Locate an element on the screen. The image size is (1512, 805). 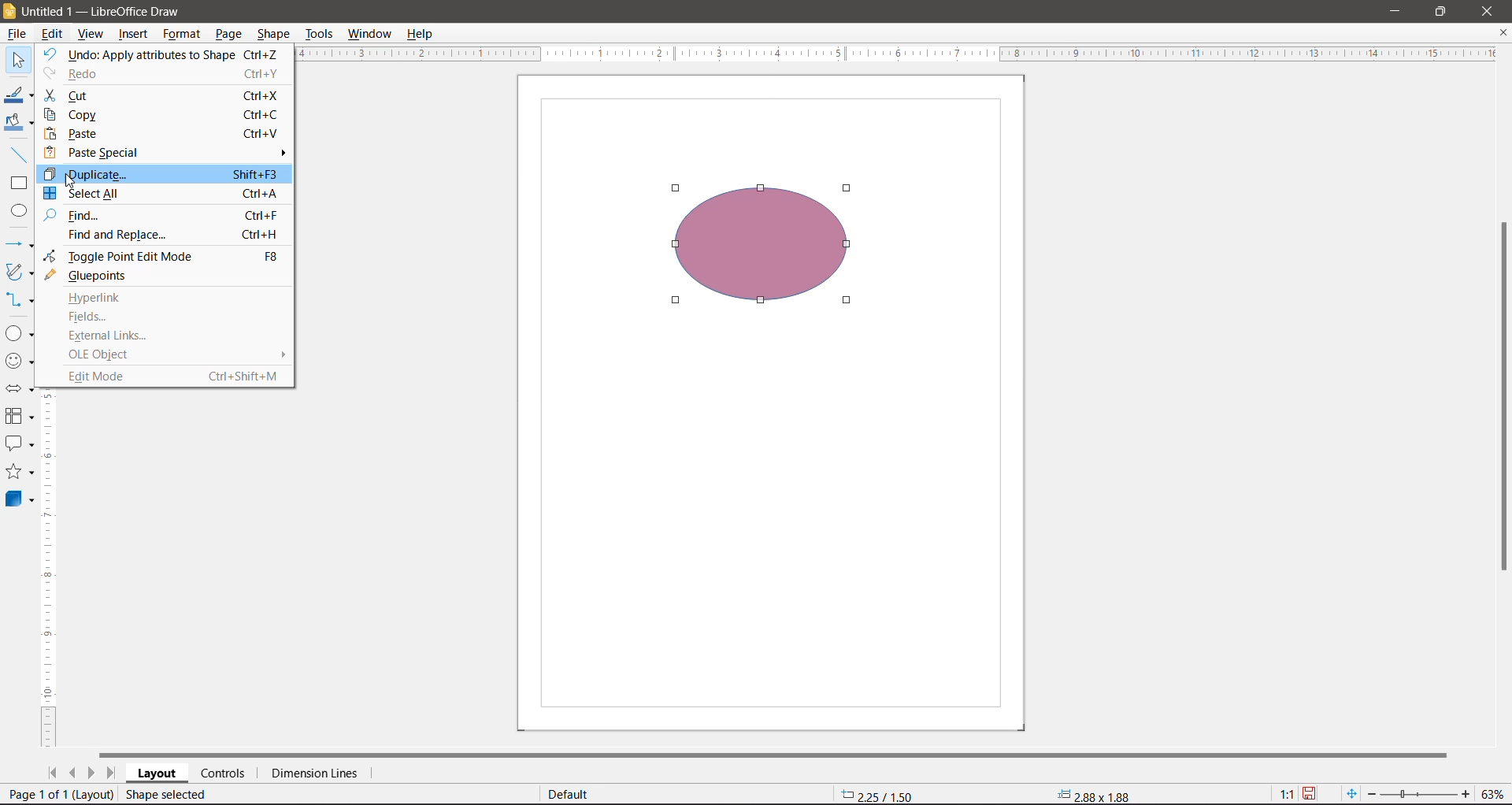
Scaling factor of the document is located at coordinates (1287, 795).